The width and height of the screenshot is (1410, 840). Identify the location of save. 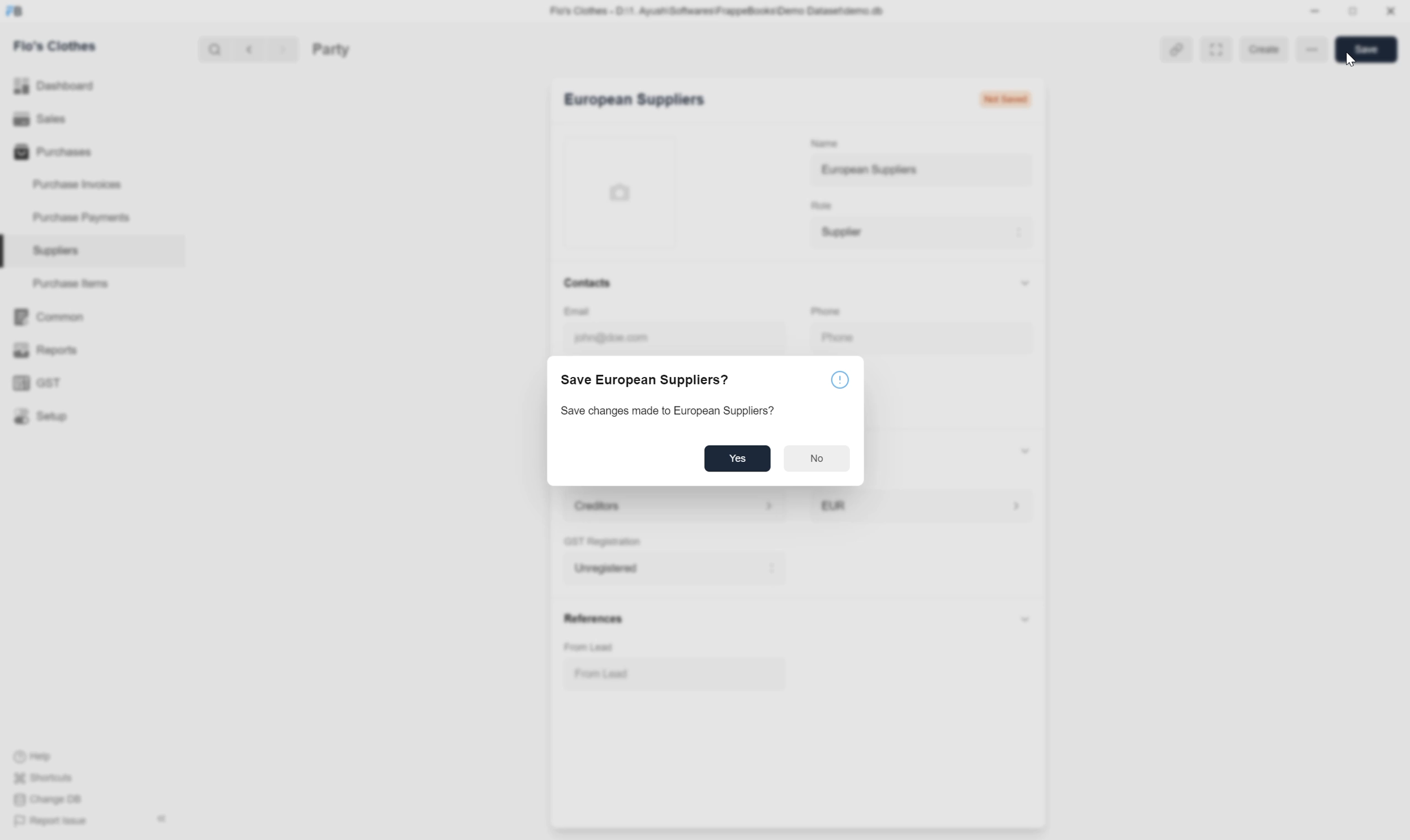
(1364, 48).